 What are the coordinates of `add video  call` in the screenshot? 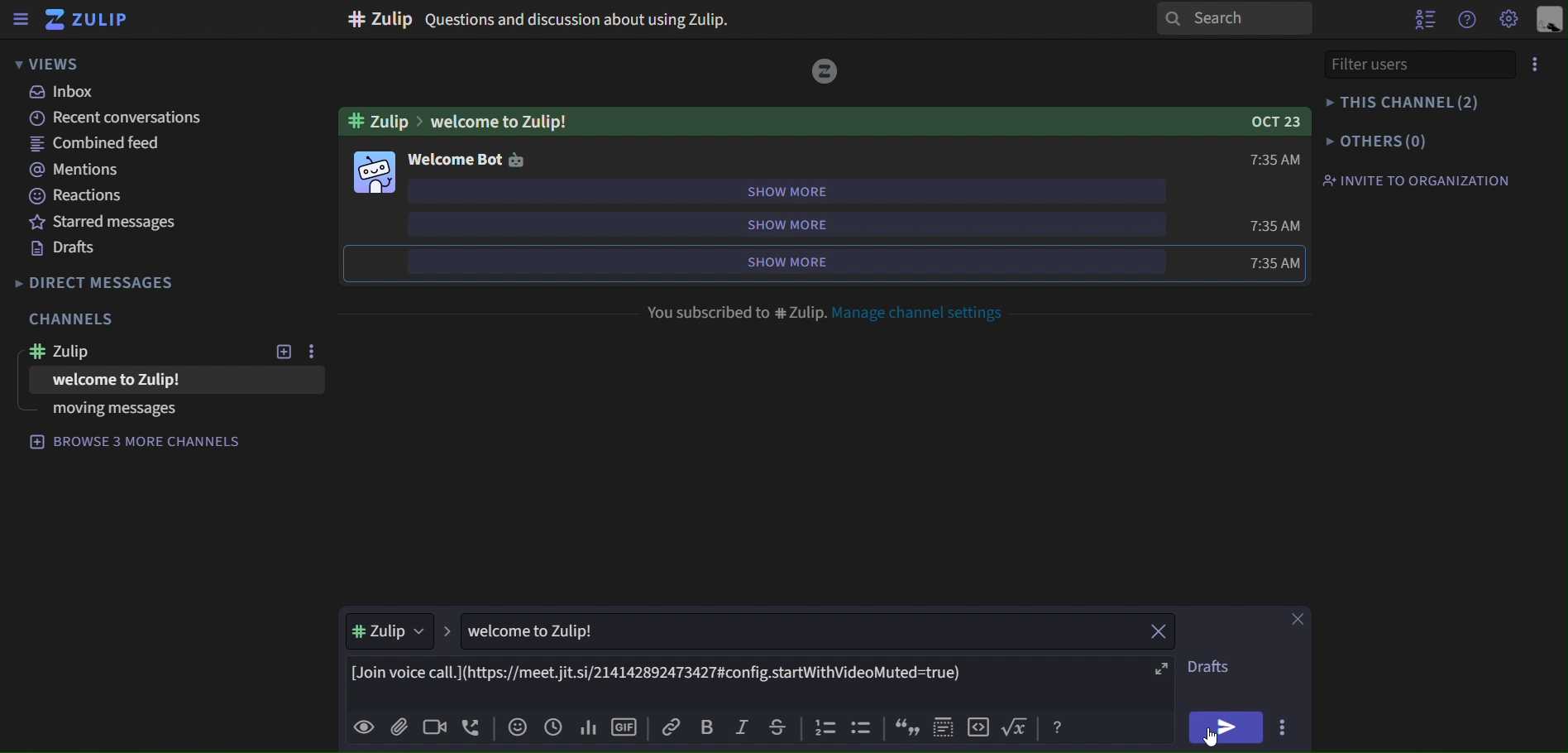 It's located at (434, 728).